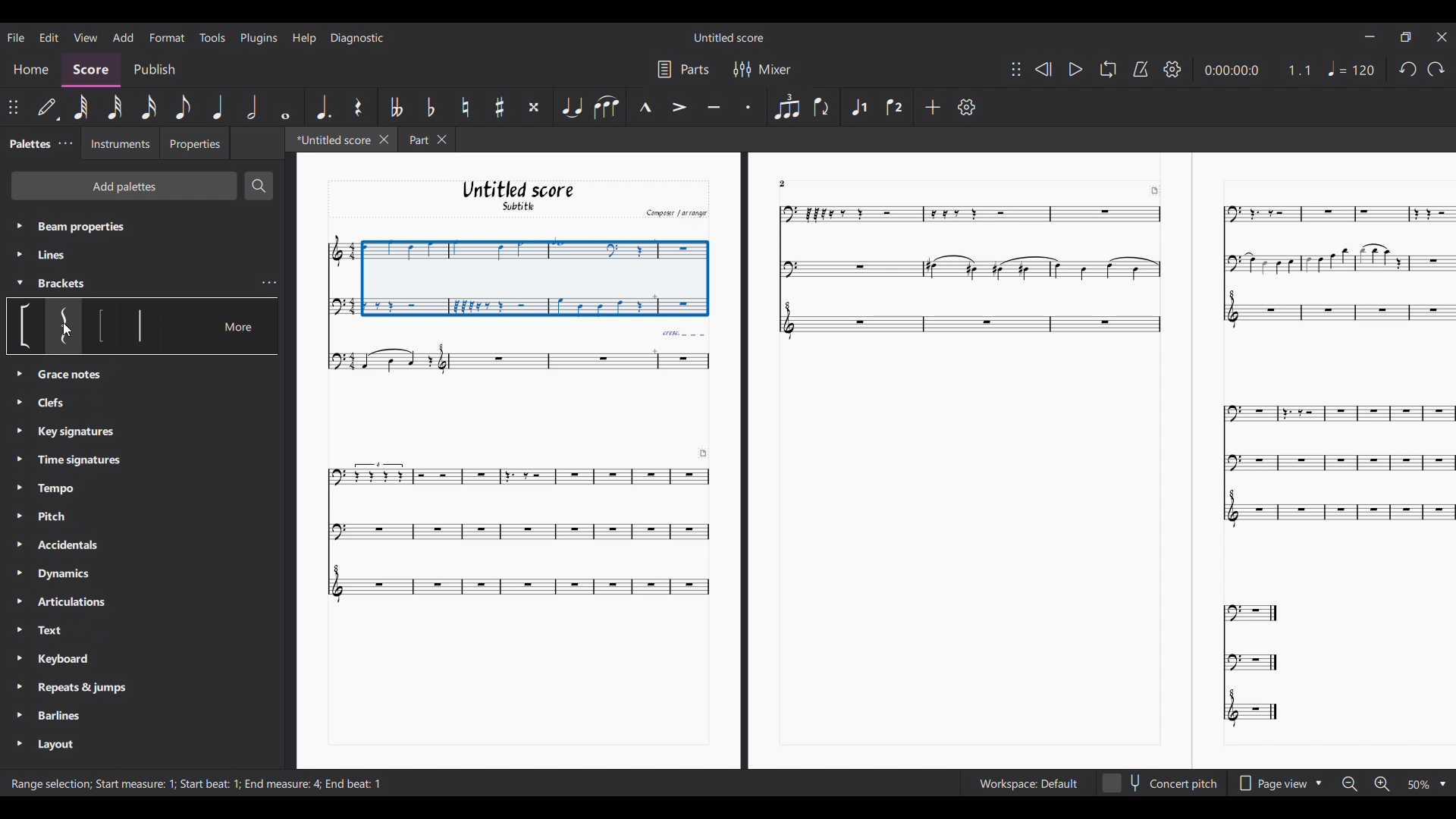 This screenshot has width=1456, height=819. What do you see at coordinates (76, 433) in the screenshot?
I see `Key Signatures` at bounding box center [76, 433].